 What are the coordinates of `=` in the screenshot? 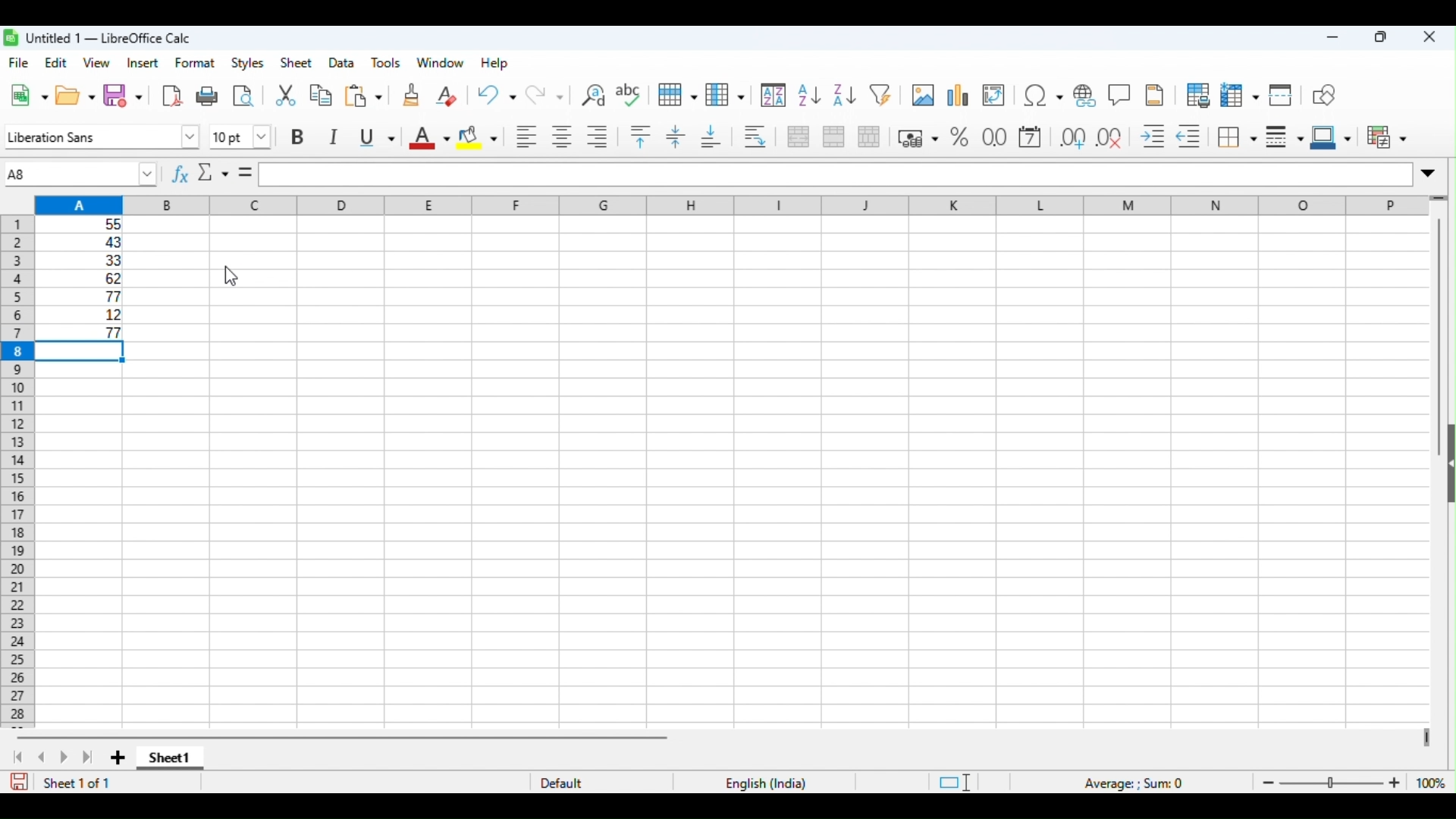 It's located at (246, 173).